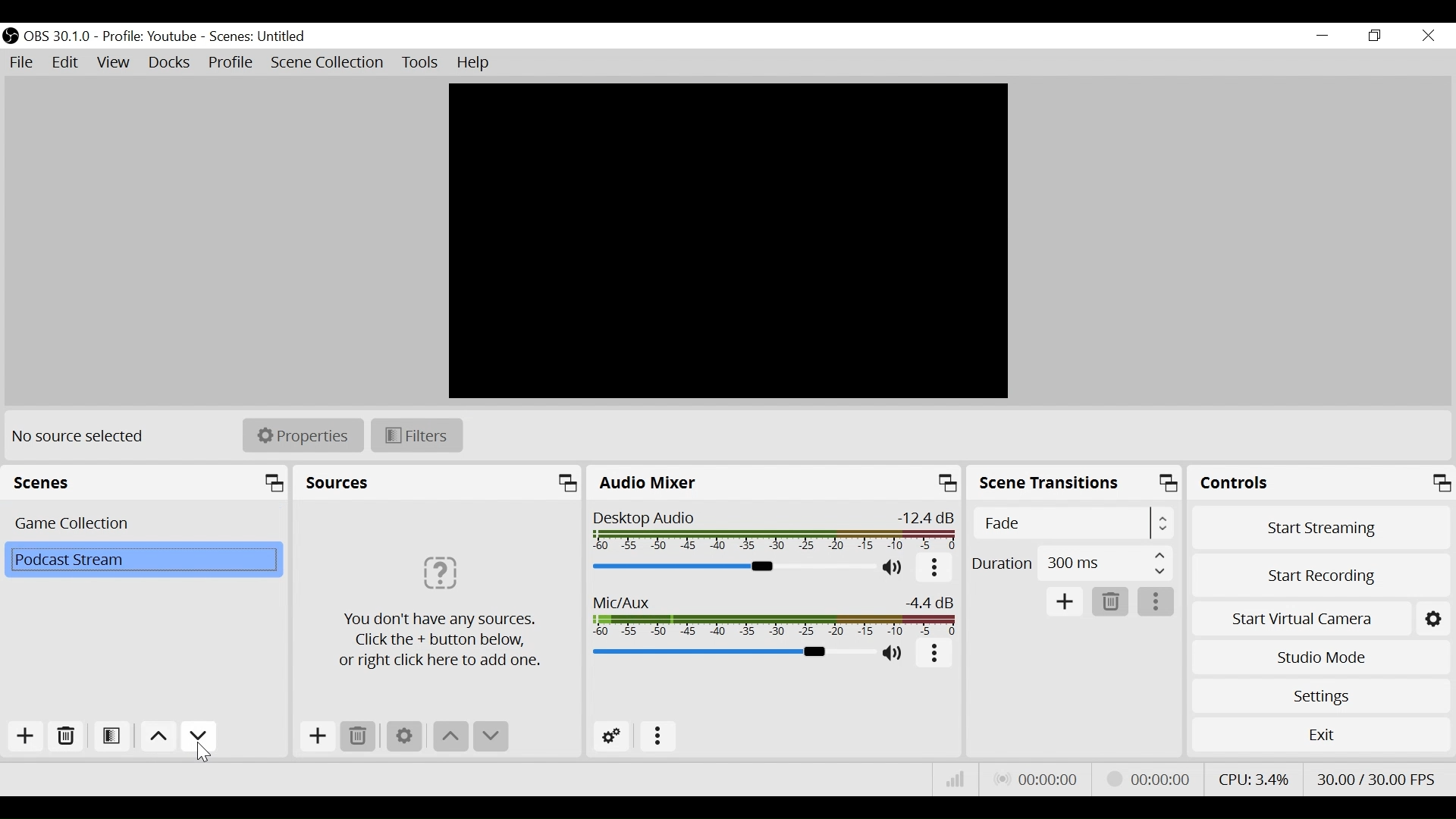 This screenshot has height=819, width=1456. I want to click on Controls, so click(1322, 482).